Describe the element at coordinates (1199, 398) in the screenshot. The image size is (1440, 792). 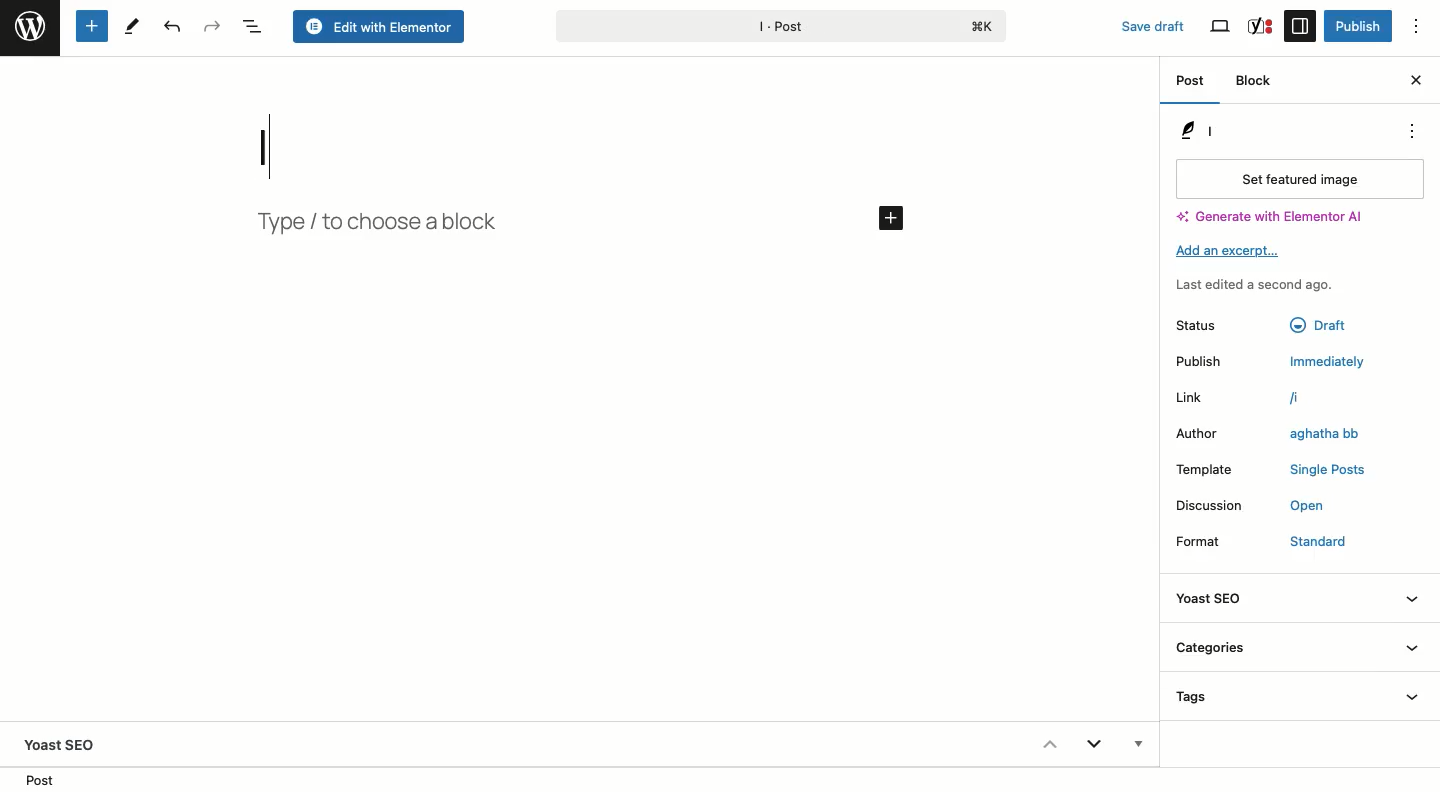
I see `Link` at that location.